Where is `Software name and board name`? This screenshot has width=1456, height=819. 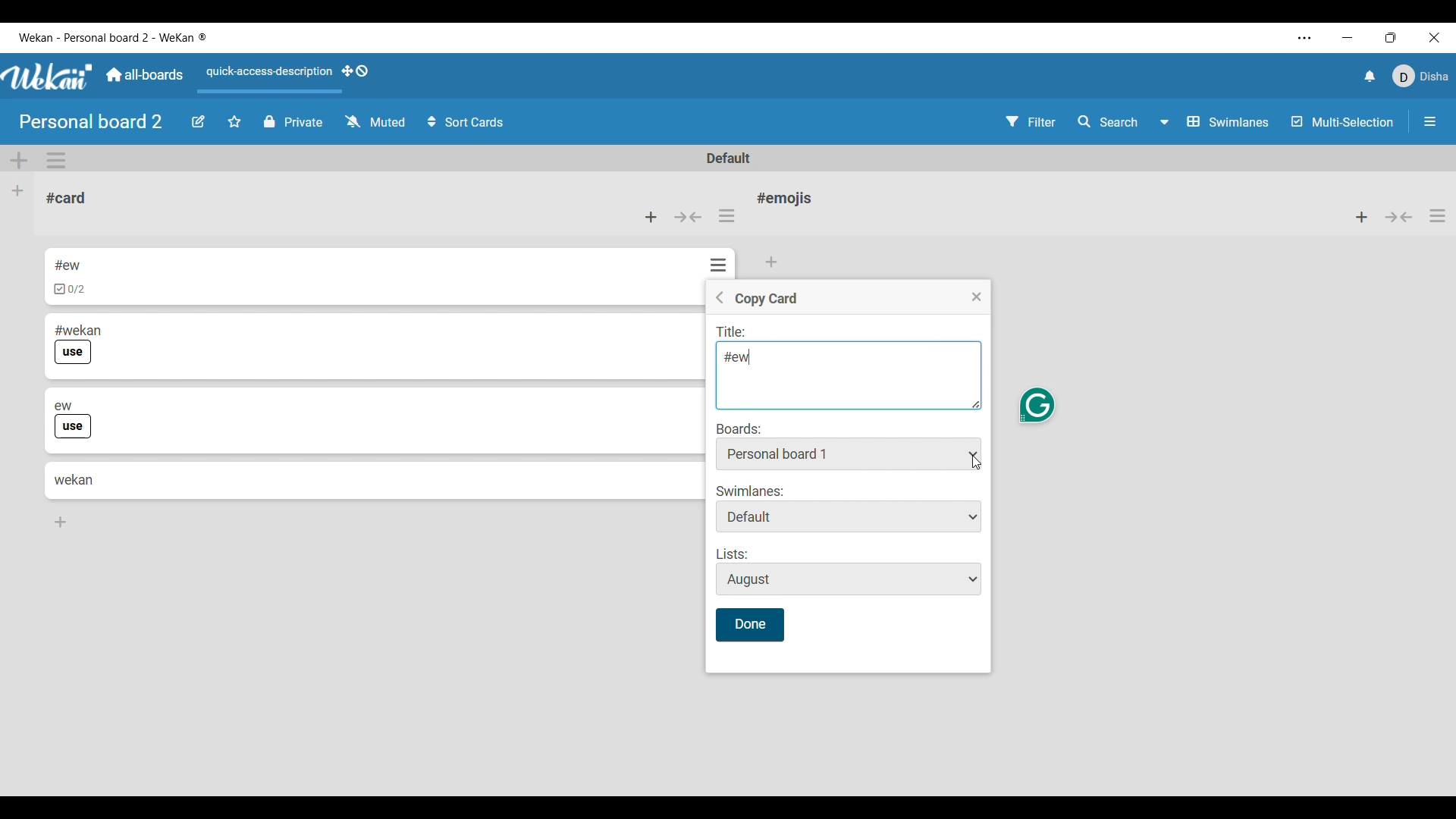 Software name and board name is located at coordinates (112, 38).